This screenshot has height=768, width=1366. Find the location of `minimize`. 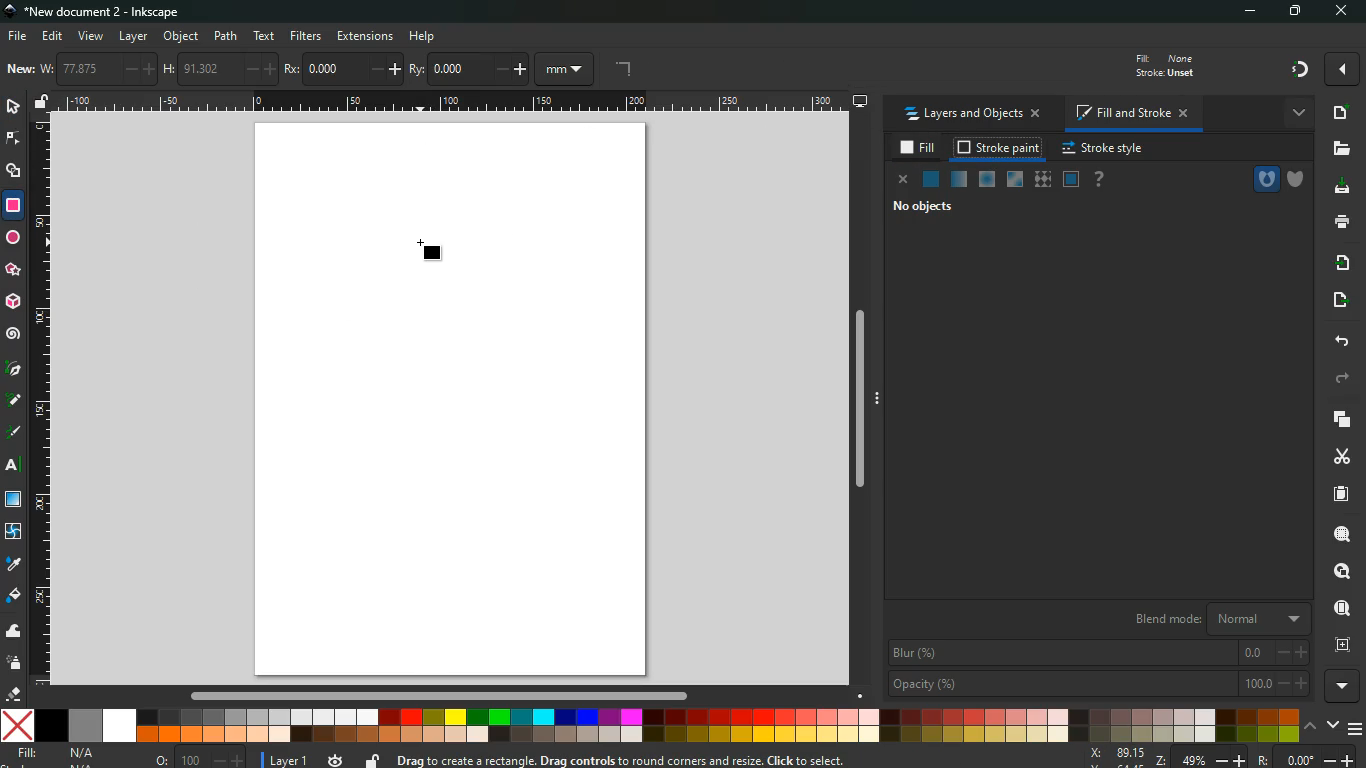

minimize is located at coordinates (1247, 12).